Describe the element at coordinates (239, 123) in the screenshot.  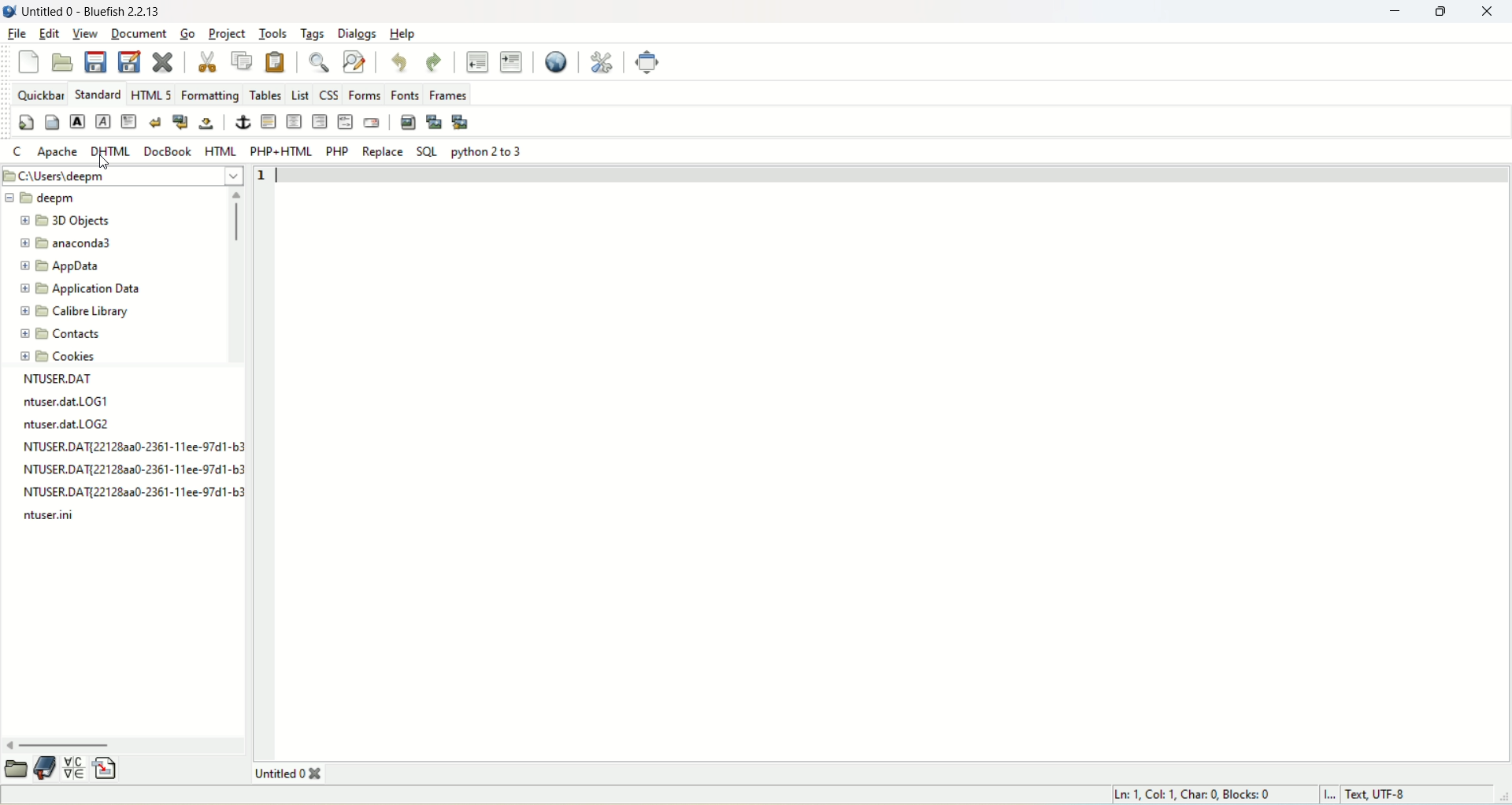
I see `anchor/hyperlink` at that location.